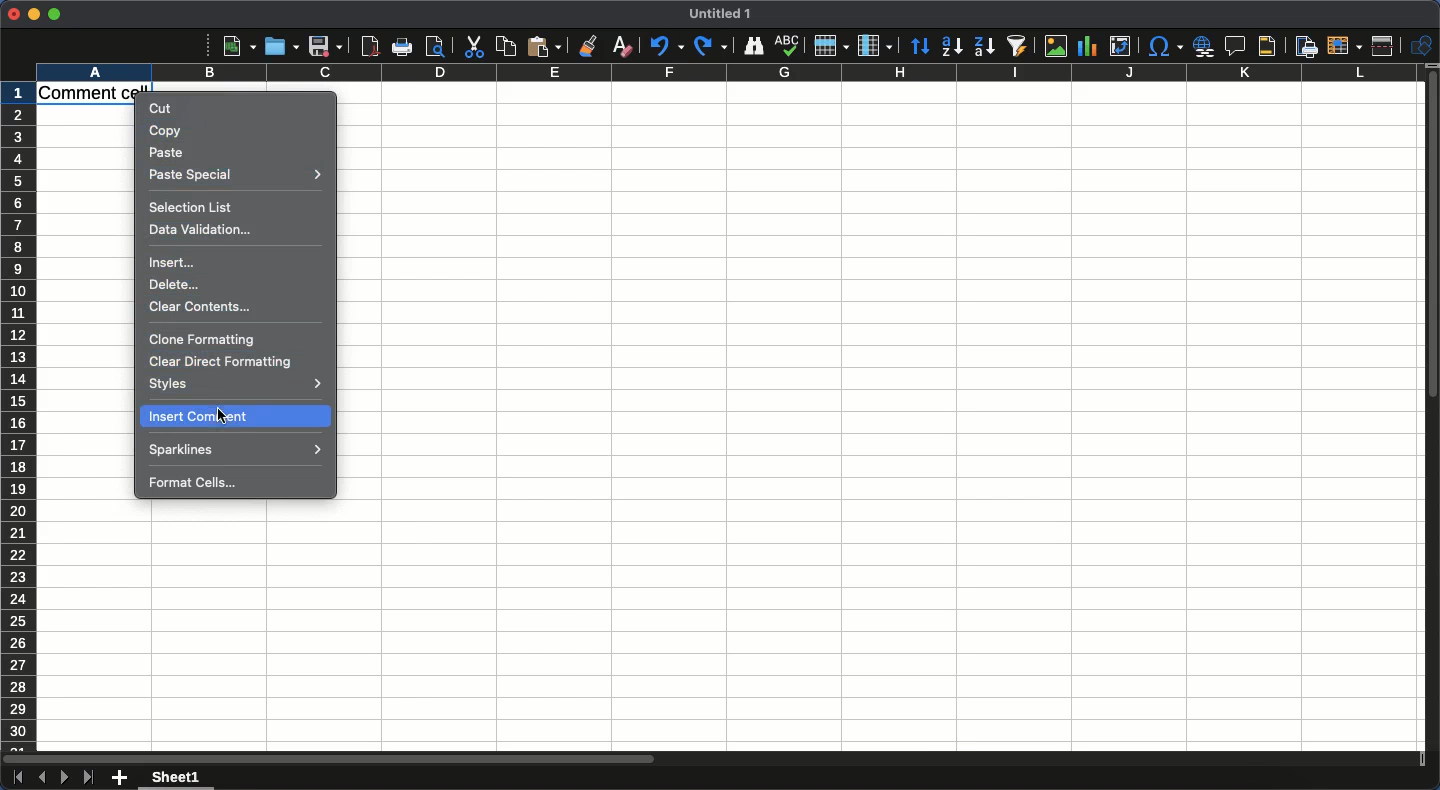  What do you see at coordinates (1431, 402) in the screenshot?
I see `Scroll` at bounding box center [1431, 402].